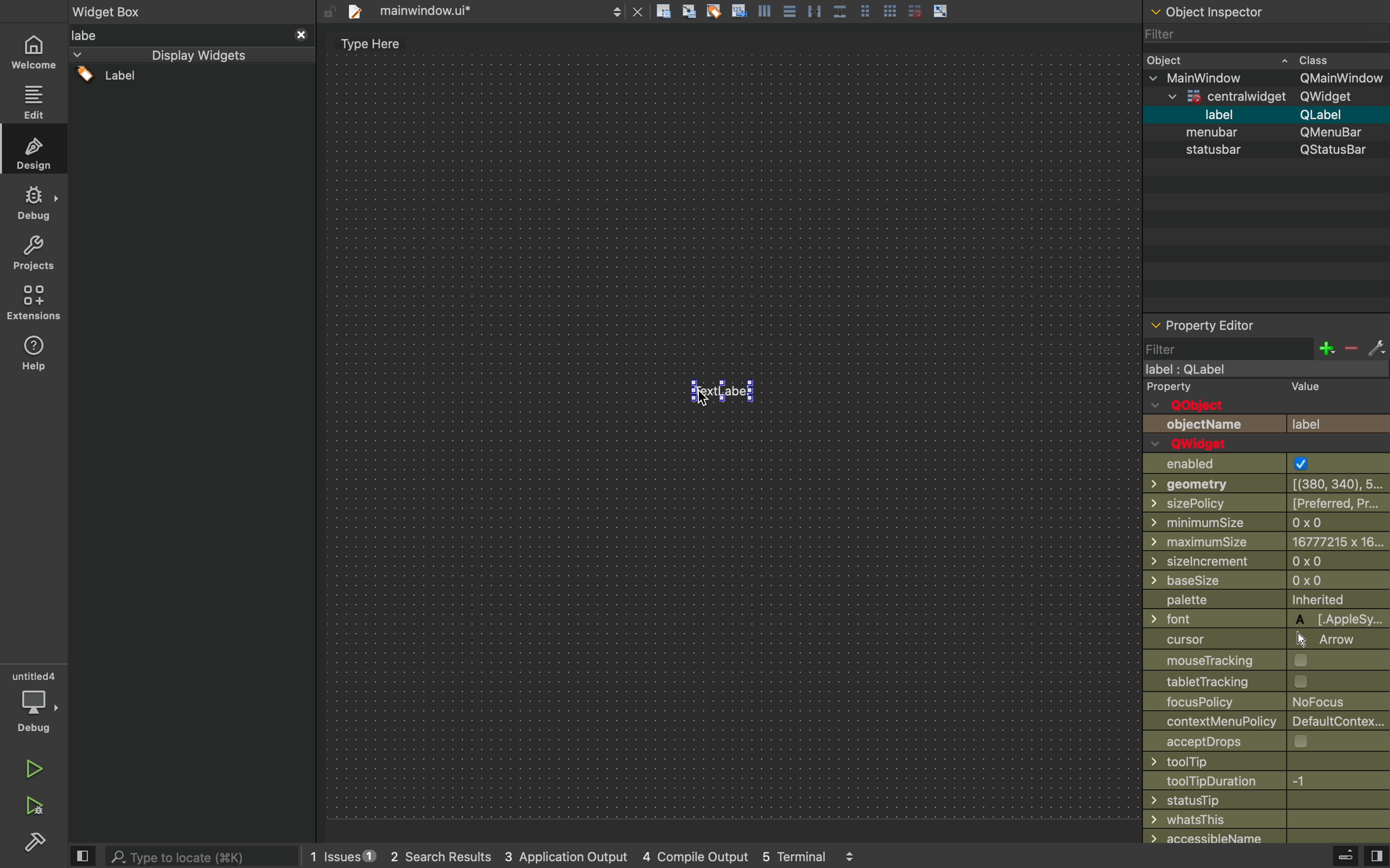  I want to click on menubar, so click(1276, 115).